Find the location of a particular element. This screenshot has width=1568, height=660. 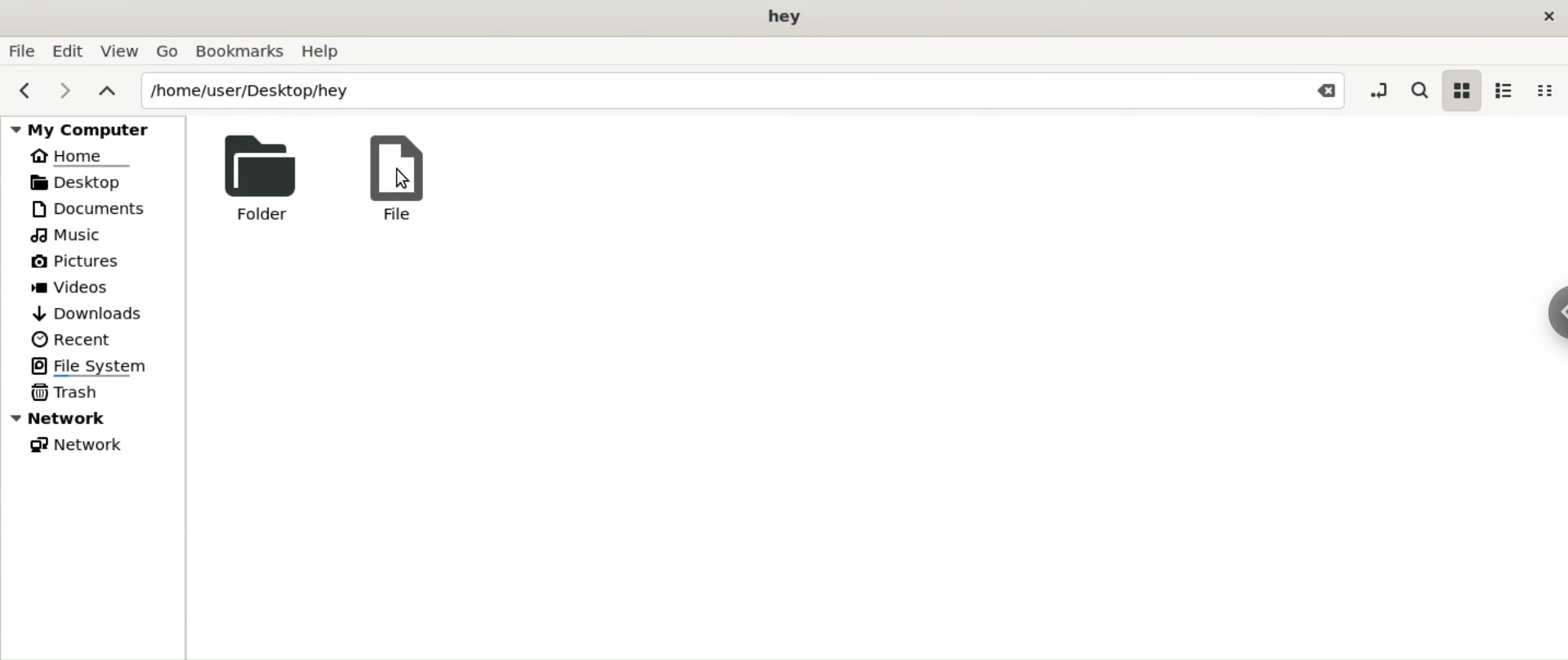

close is located at coordinates (1545, 16).